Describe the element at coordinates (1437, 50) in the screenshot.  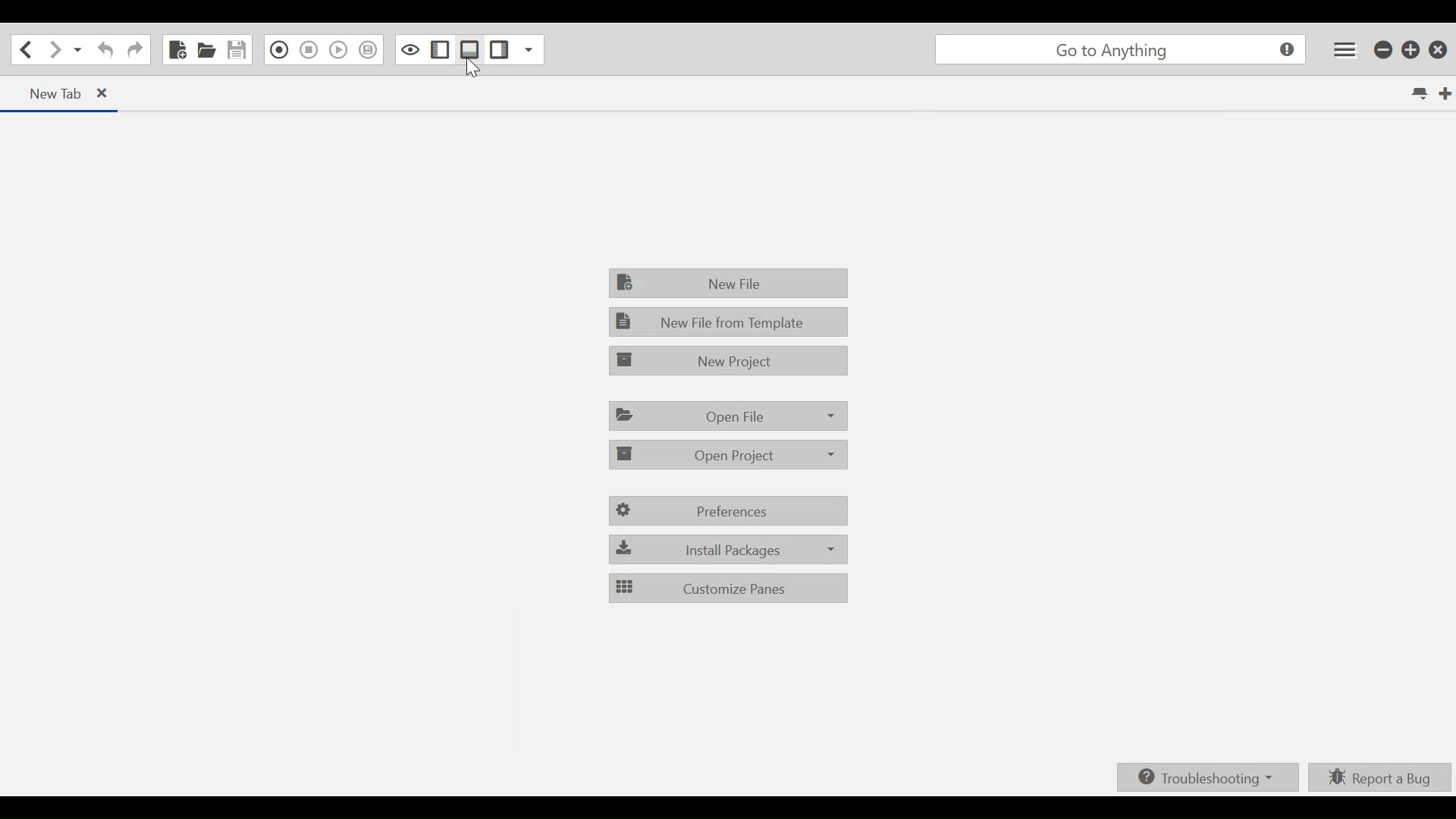
I see `Close` at that location.